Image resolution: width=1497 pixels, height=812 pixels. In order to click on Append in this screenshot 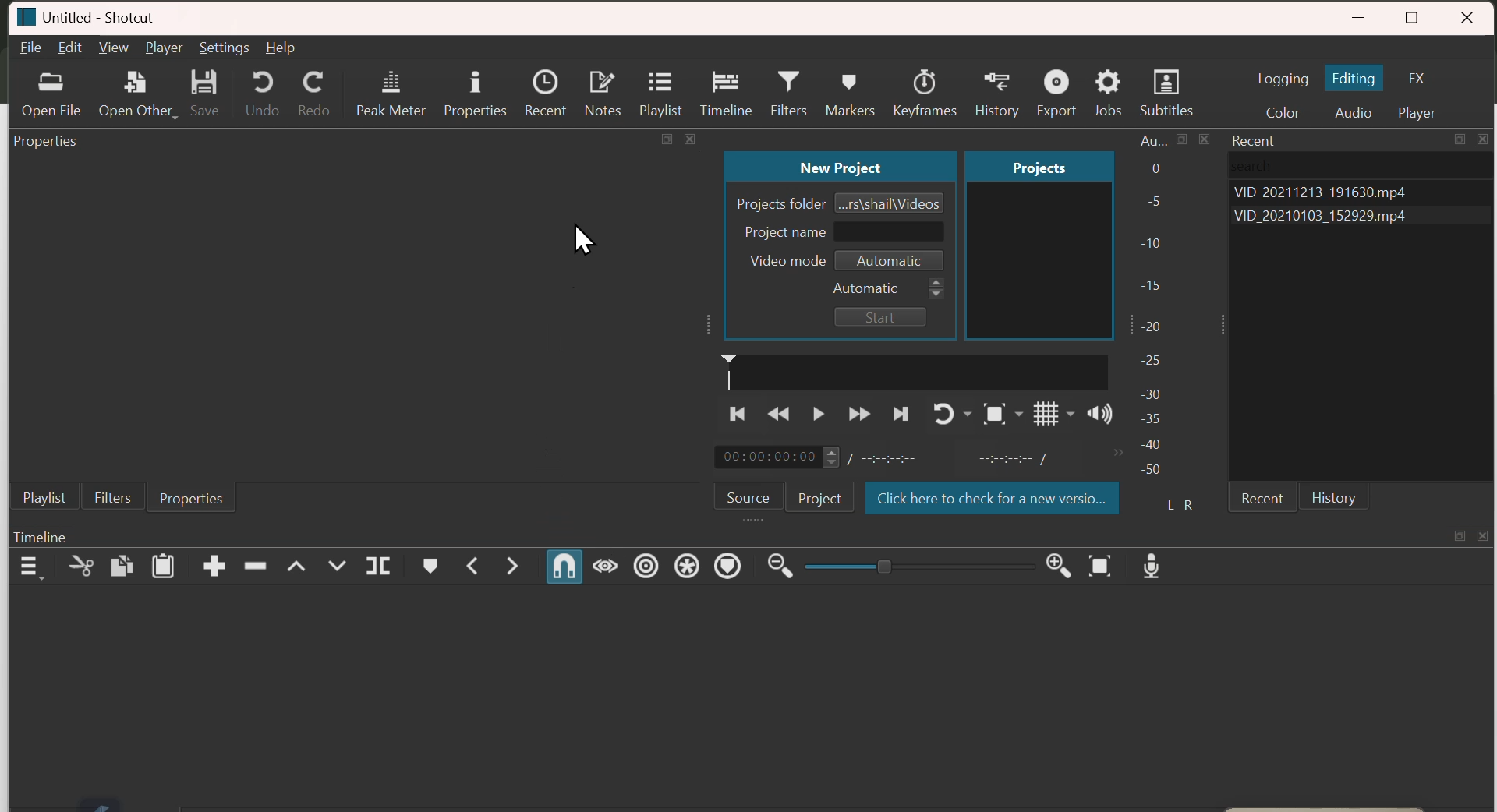, I will do `click(214, 566)`.